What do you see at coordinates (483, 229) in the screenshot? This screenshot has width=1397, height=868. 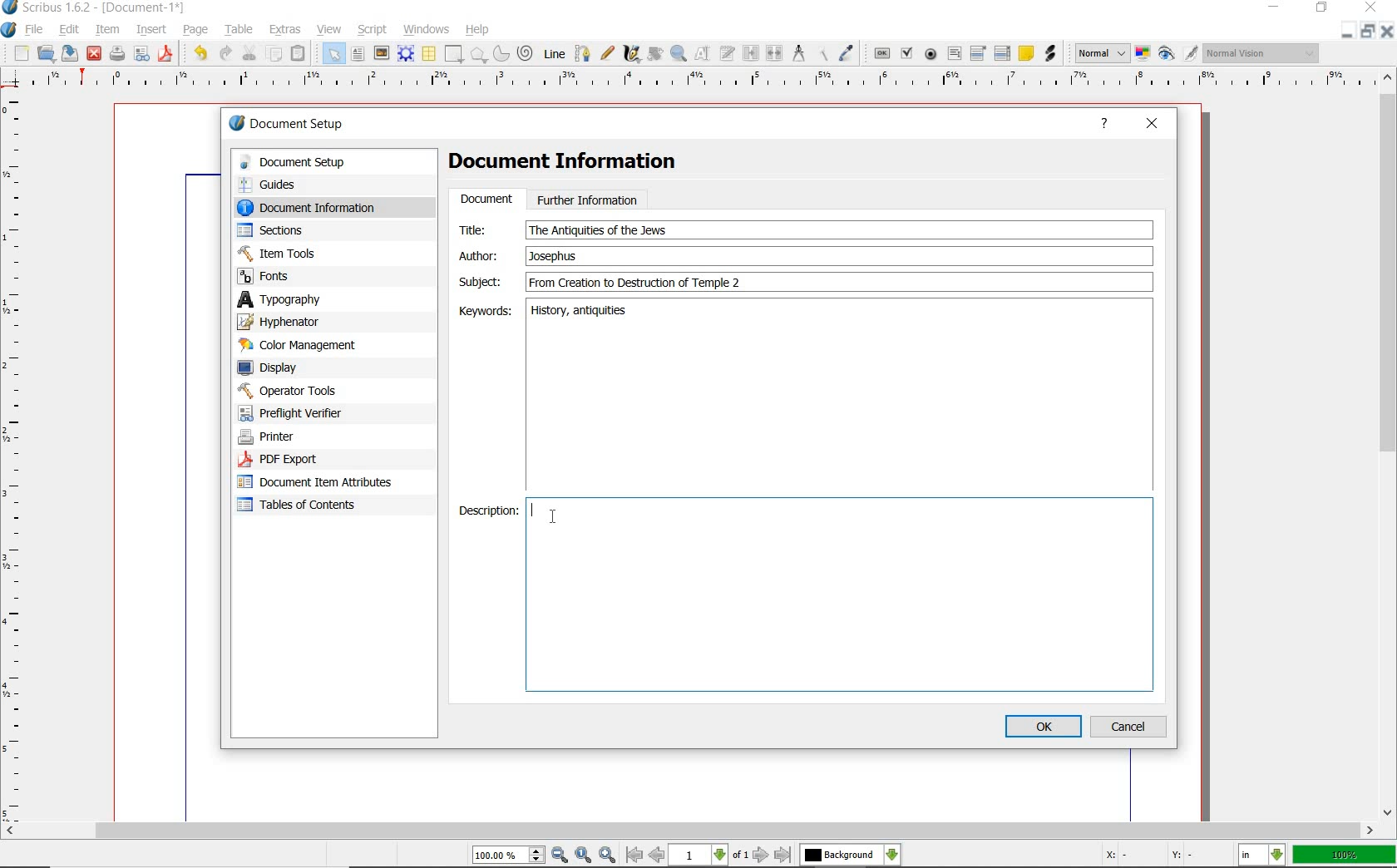 I see `Title` at bounding box center [483, 229].